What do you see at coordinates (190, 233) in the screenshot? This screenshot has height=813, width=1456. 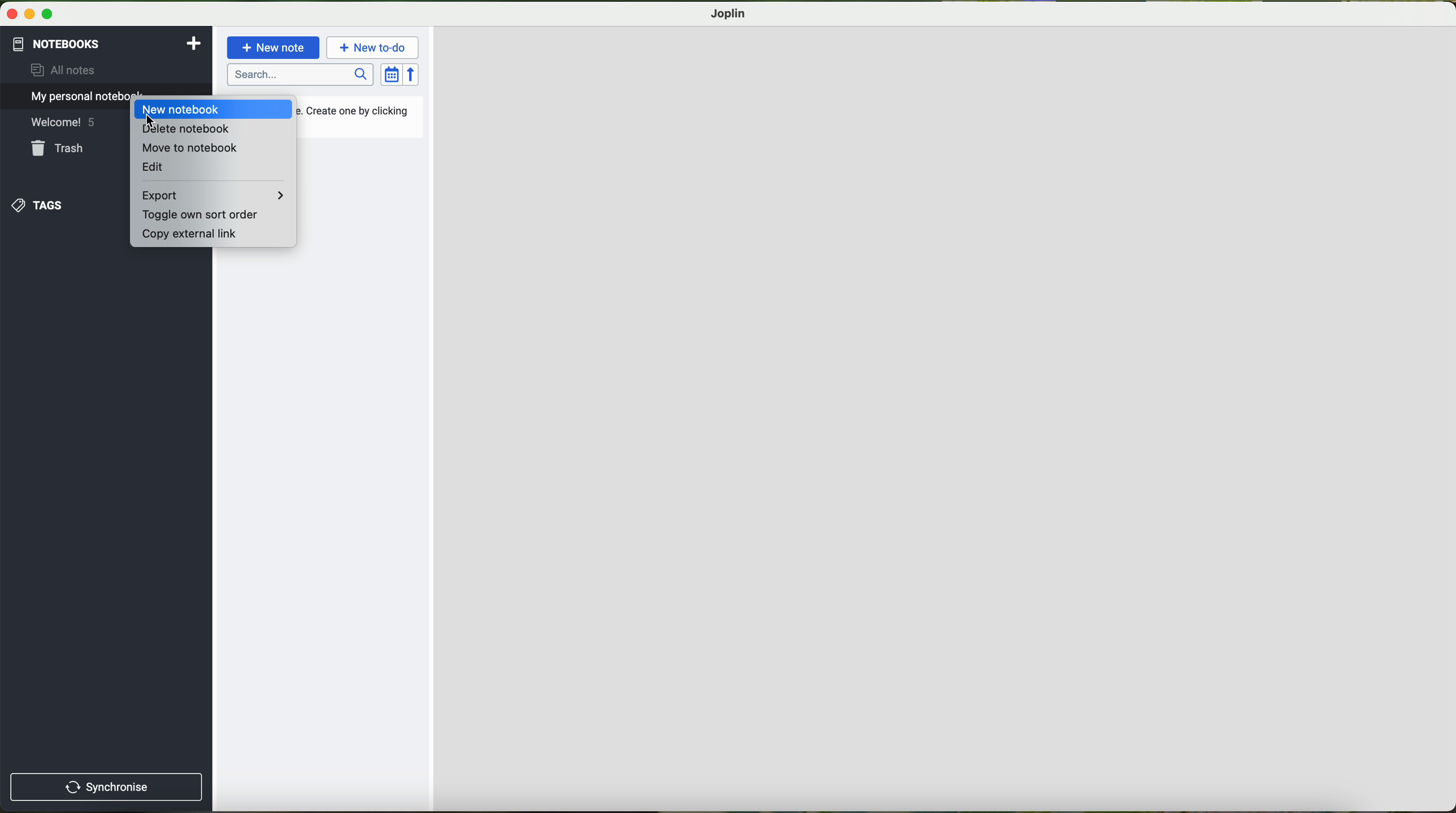 I see `copy external link` at bounding box center [190, 233].